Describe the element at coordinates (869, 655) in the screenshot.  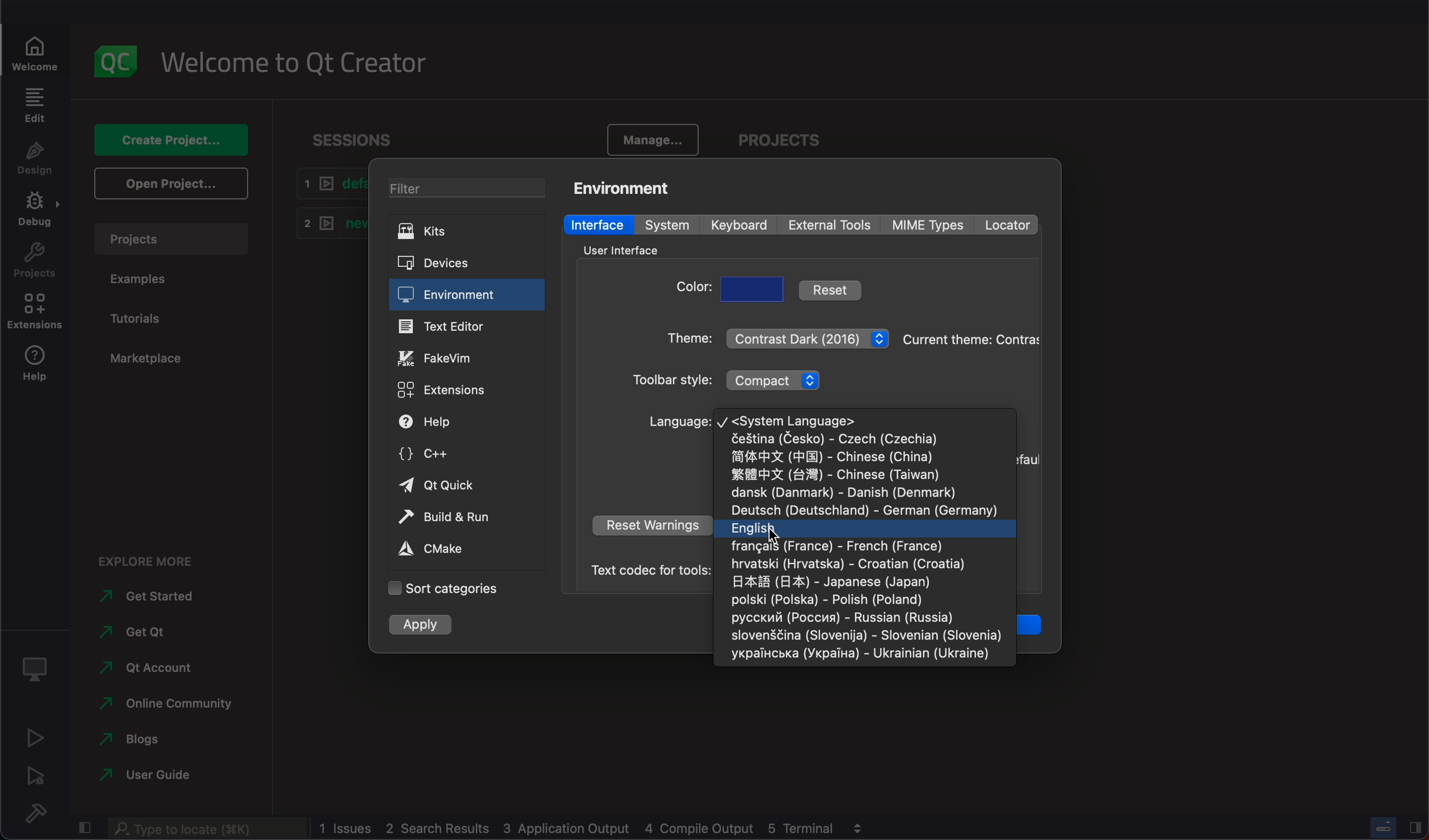
I see `ukraine` at that location.